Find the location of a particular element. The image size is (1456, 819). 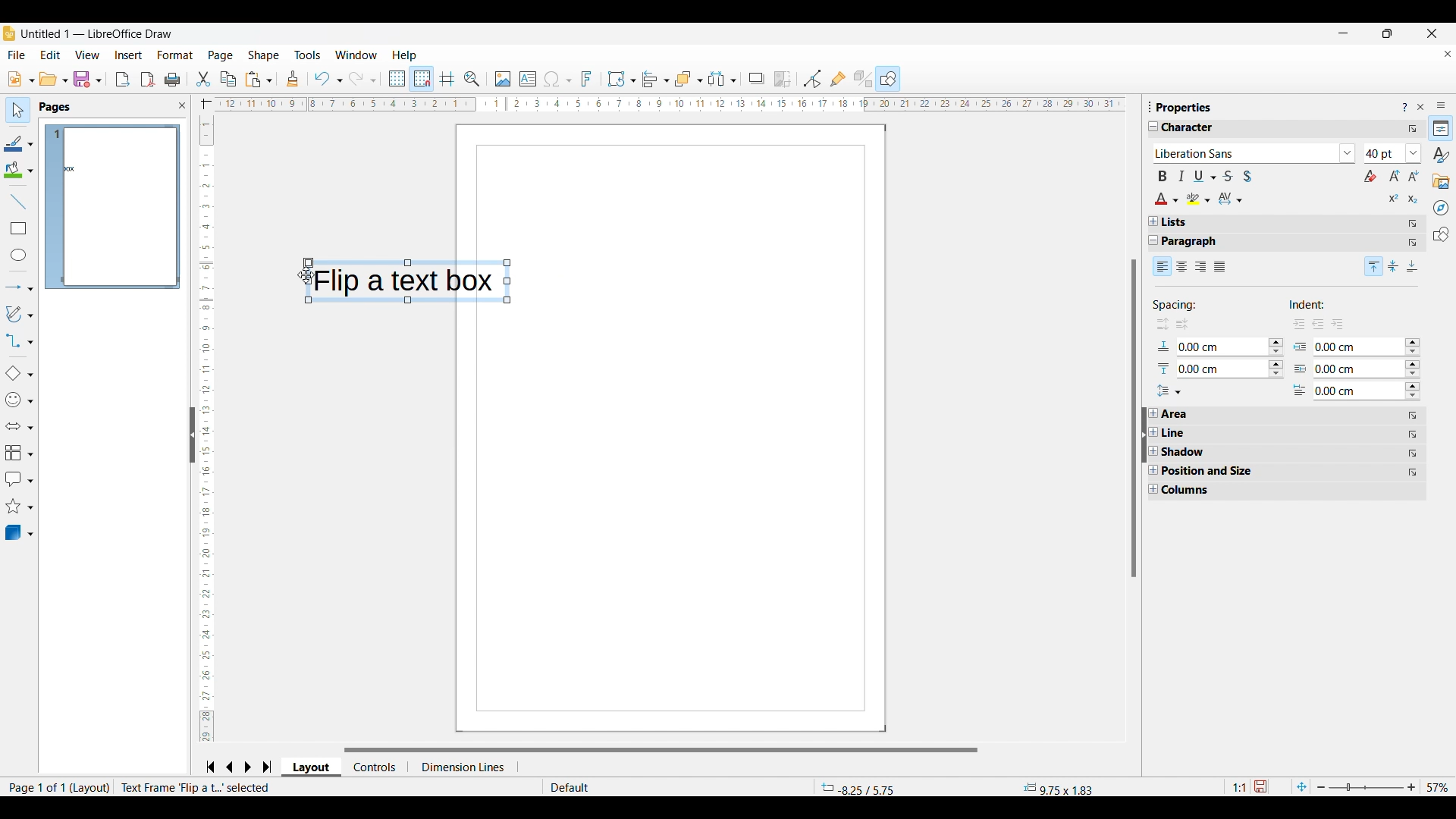

Clear direct formating  is located at coordinates (1370, 176).